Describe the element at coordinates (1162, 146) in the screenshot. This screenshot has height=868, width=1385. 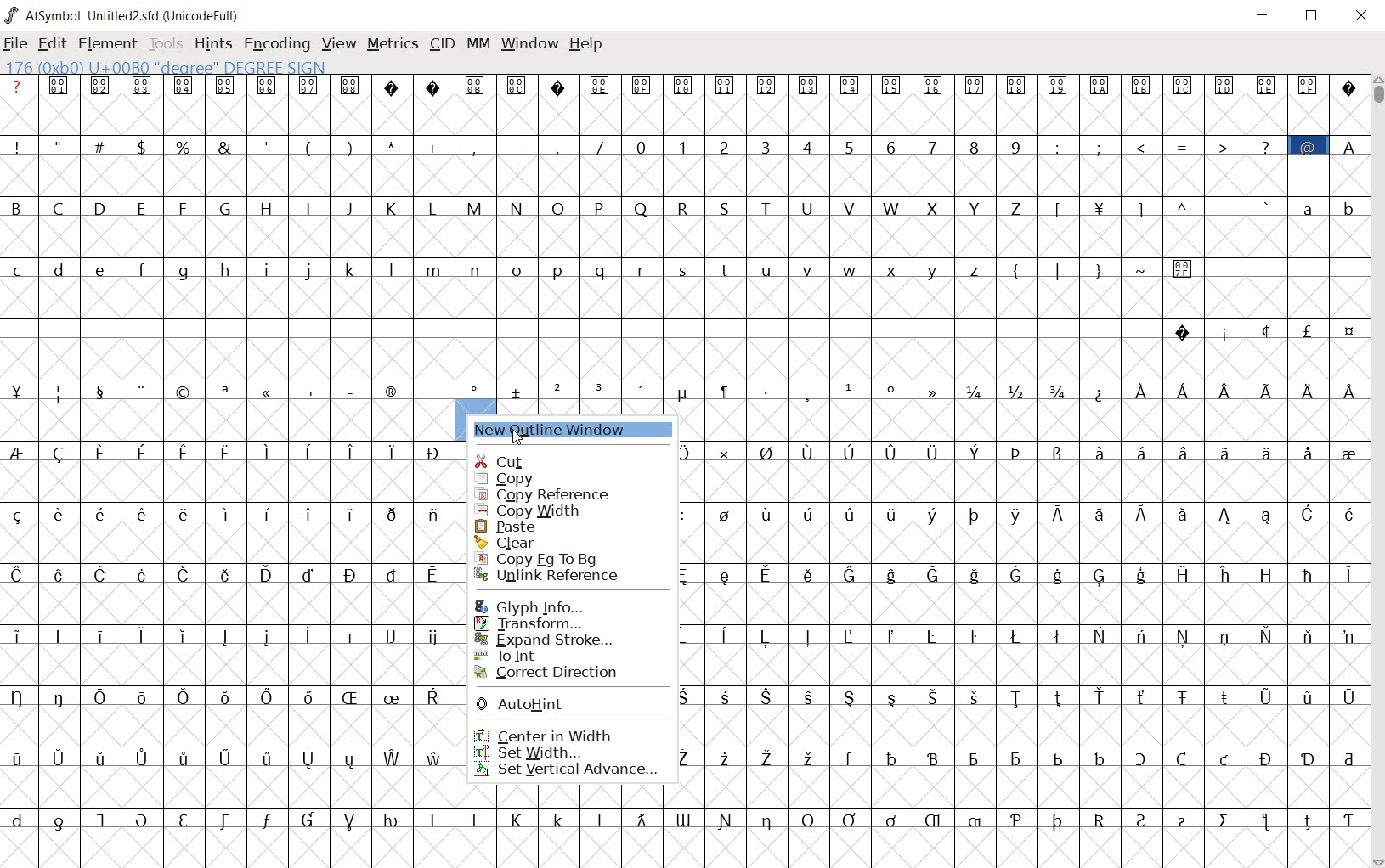
I see `special characters` at that location.